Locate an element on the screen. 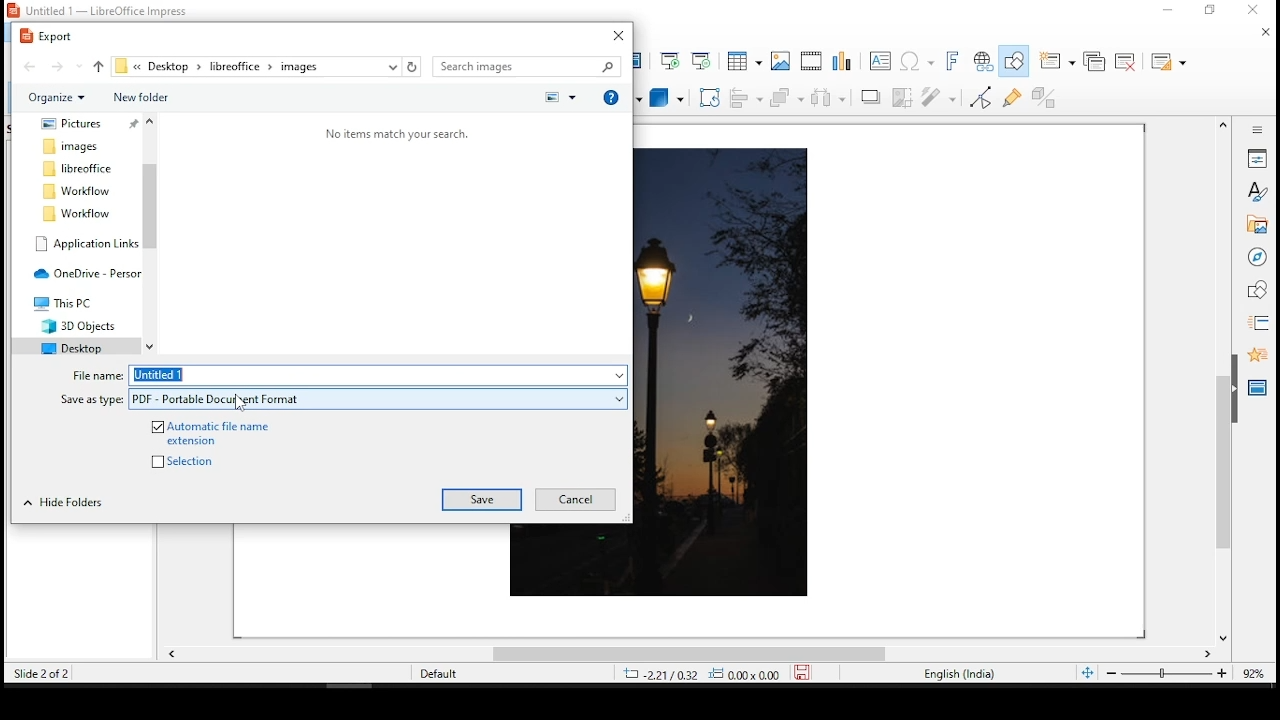  folder is located at coordinates (73, 146).